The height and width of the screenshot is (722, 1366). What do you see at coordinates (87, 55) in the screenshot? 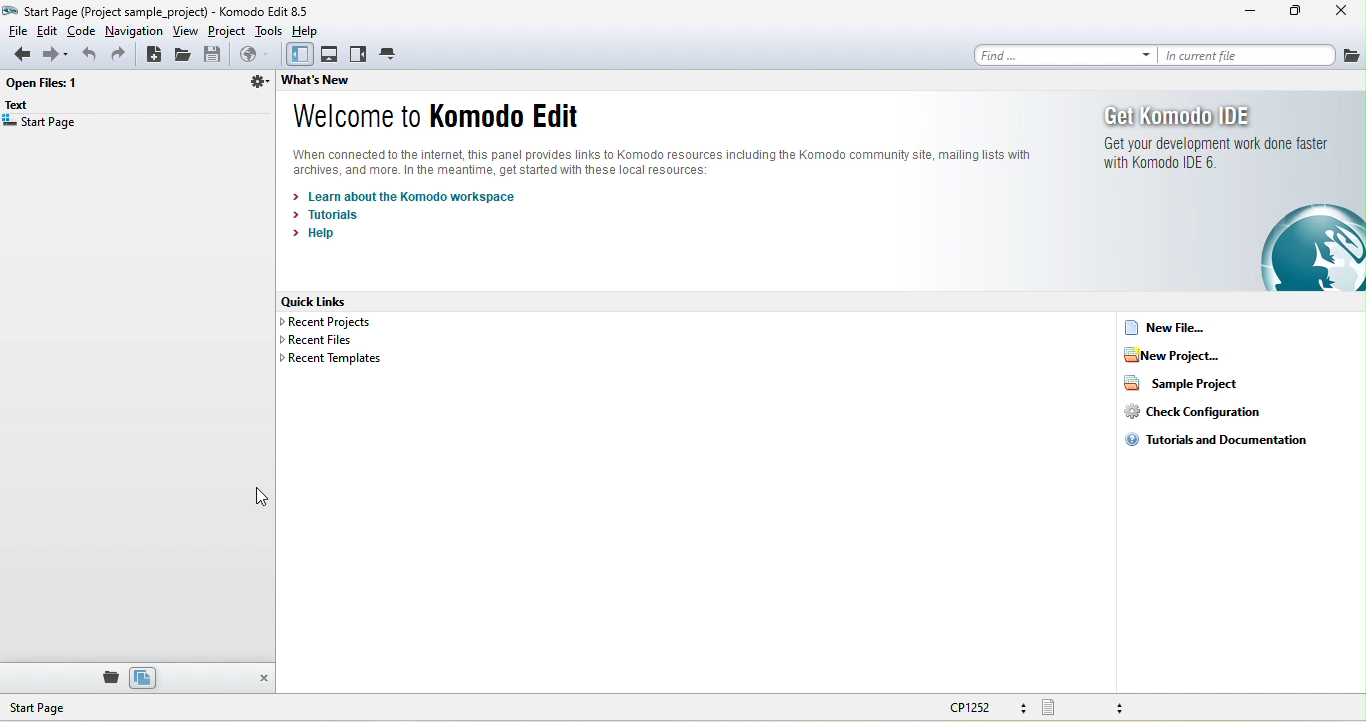
I see `undo` at bounding box center [87, 55].